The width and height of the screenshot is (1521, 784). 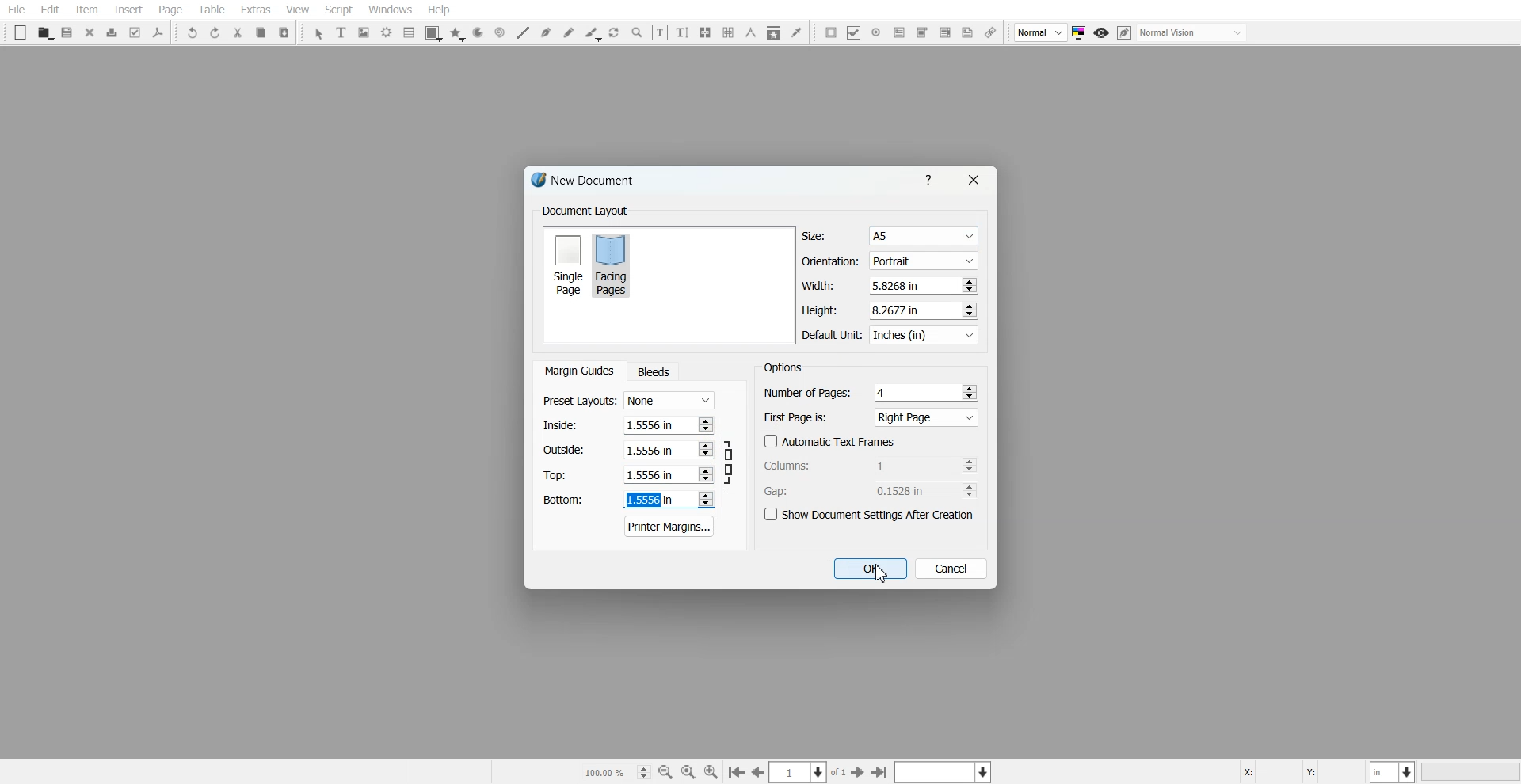 What do you see at coordinates (670, 526) in the screenshot?
I see `Printer Margins` at bounding box center [670, 526].